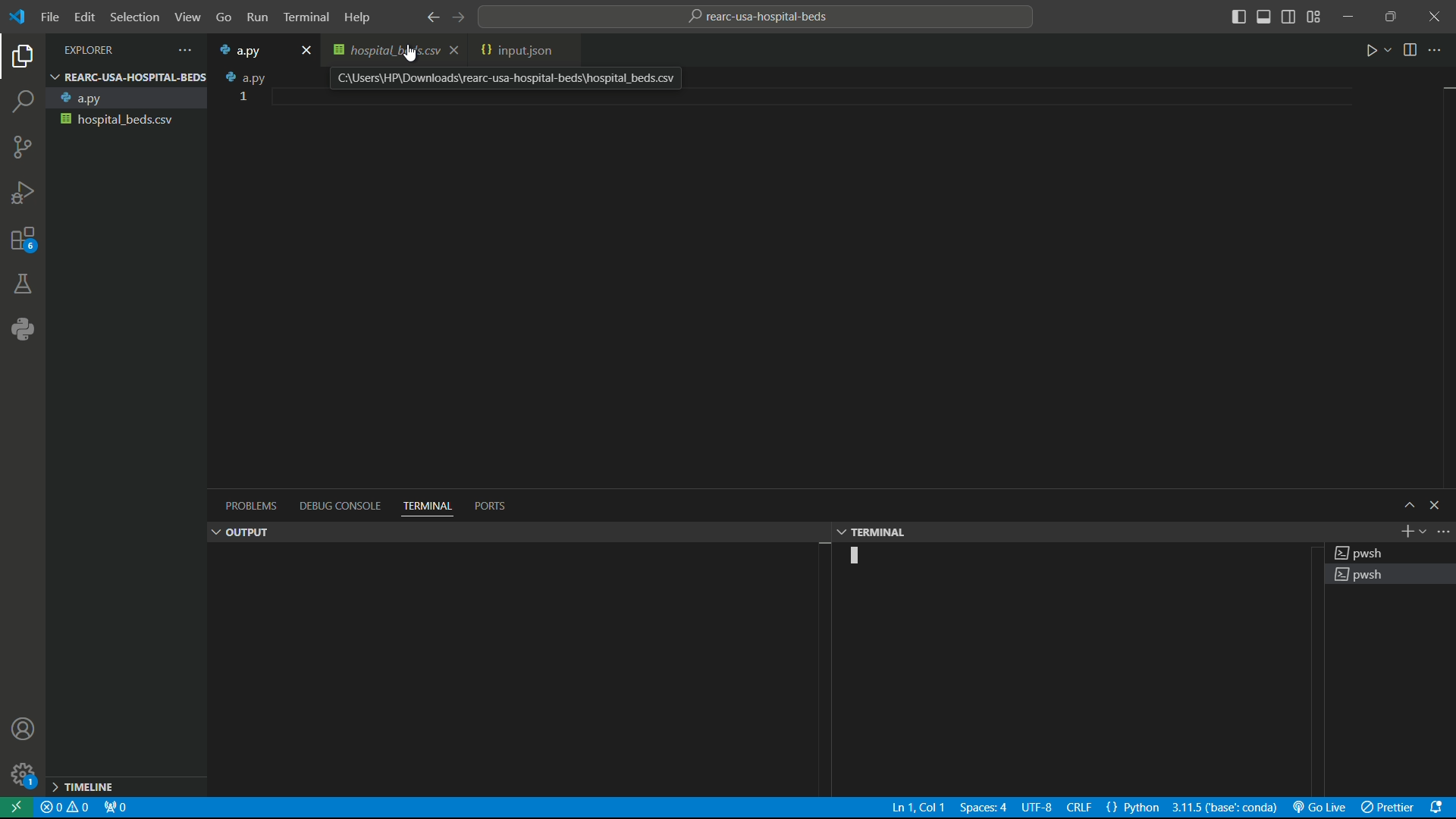 This screenshot has height=819, width=1456. What do you see at coordinates (431, 18) in the screenshot?
I see `go back` at bounding box center [431, 18].